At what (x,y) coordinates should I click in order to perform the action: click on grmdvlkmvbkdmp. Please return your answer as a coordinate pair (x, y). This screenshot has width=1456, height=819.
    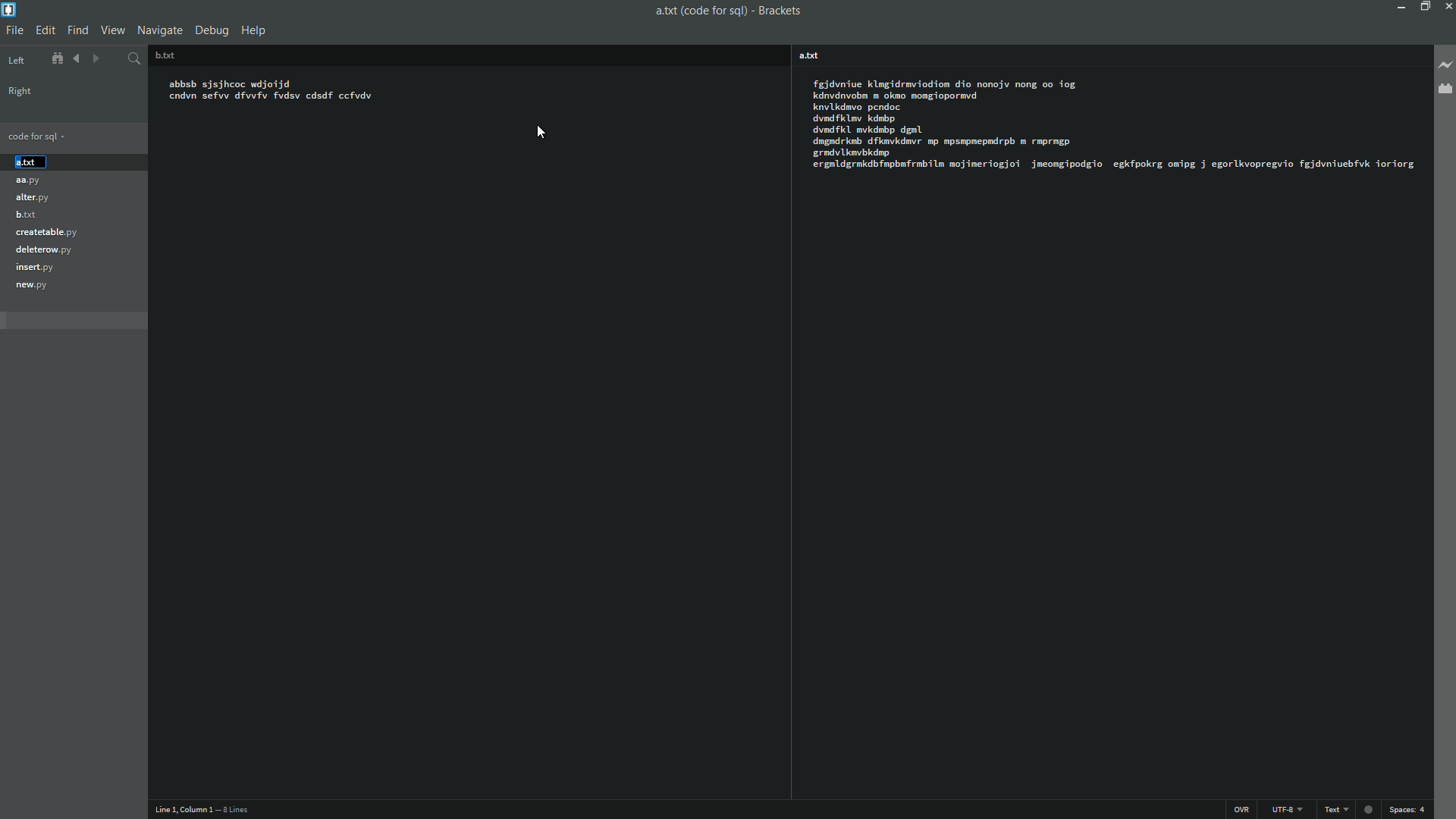
    Looking at the image, I should click on (857, 152).